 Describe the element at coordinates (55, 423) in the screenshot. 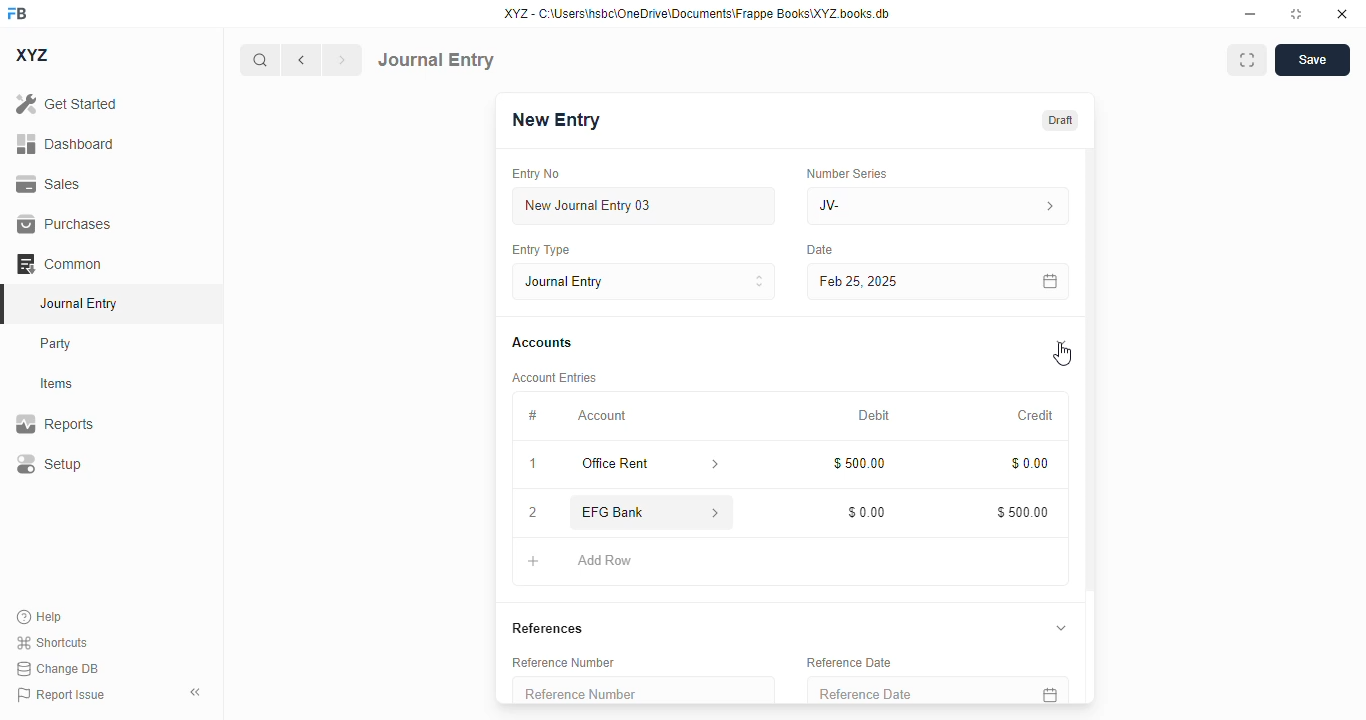

I see `reports` at that location.